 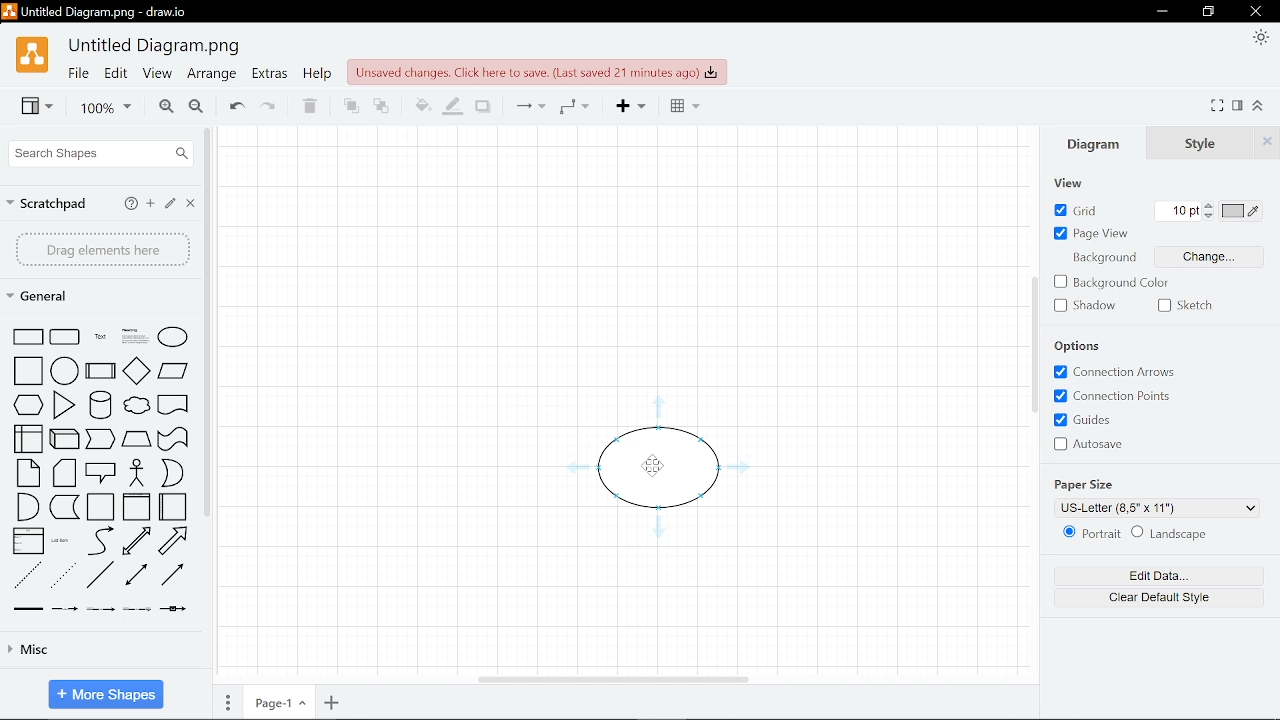 I want to click on General shapes, so click(x=96, y=295).